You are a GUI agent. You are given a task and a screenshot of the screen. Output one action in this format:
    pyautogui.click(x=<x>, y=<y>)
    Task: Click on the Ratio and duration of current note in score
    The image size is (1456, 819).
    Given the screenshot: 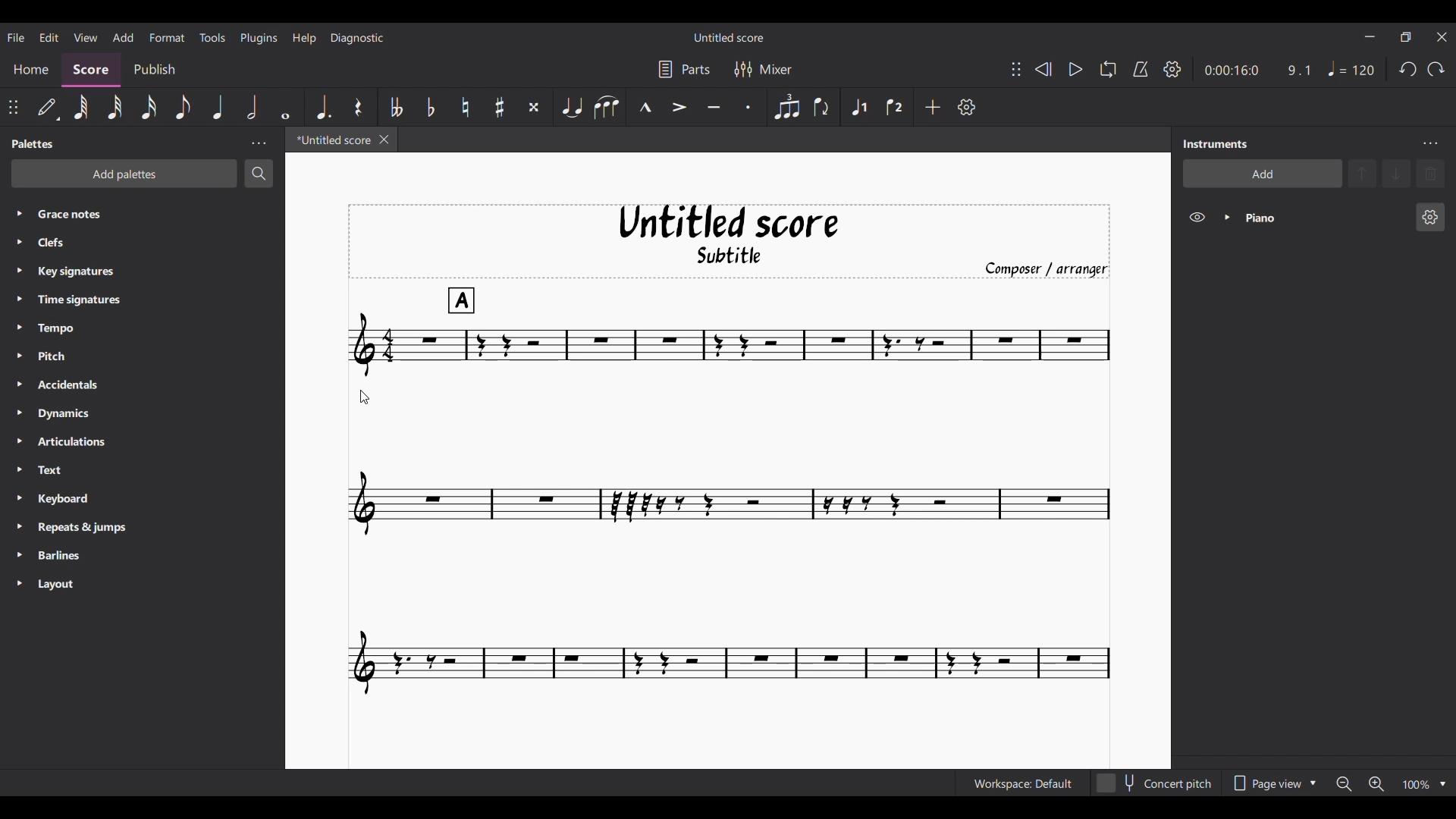 What is the action you would take?
    pyautogui.click(x=1257, y=70)
    